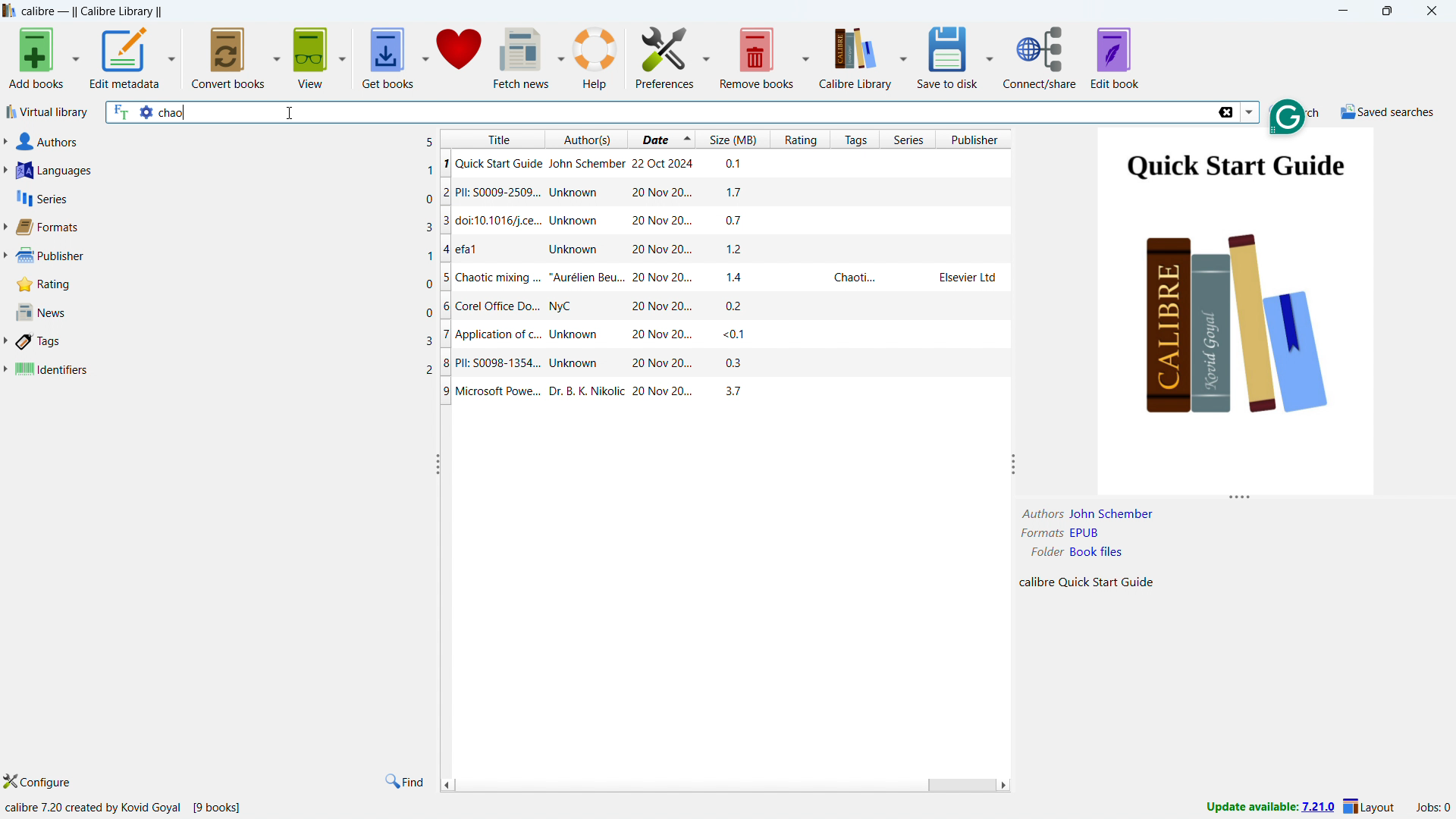 This screenshot has height=819, width=1456. I want to click on news, so click(225, 312).